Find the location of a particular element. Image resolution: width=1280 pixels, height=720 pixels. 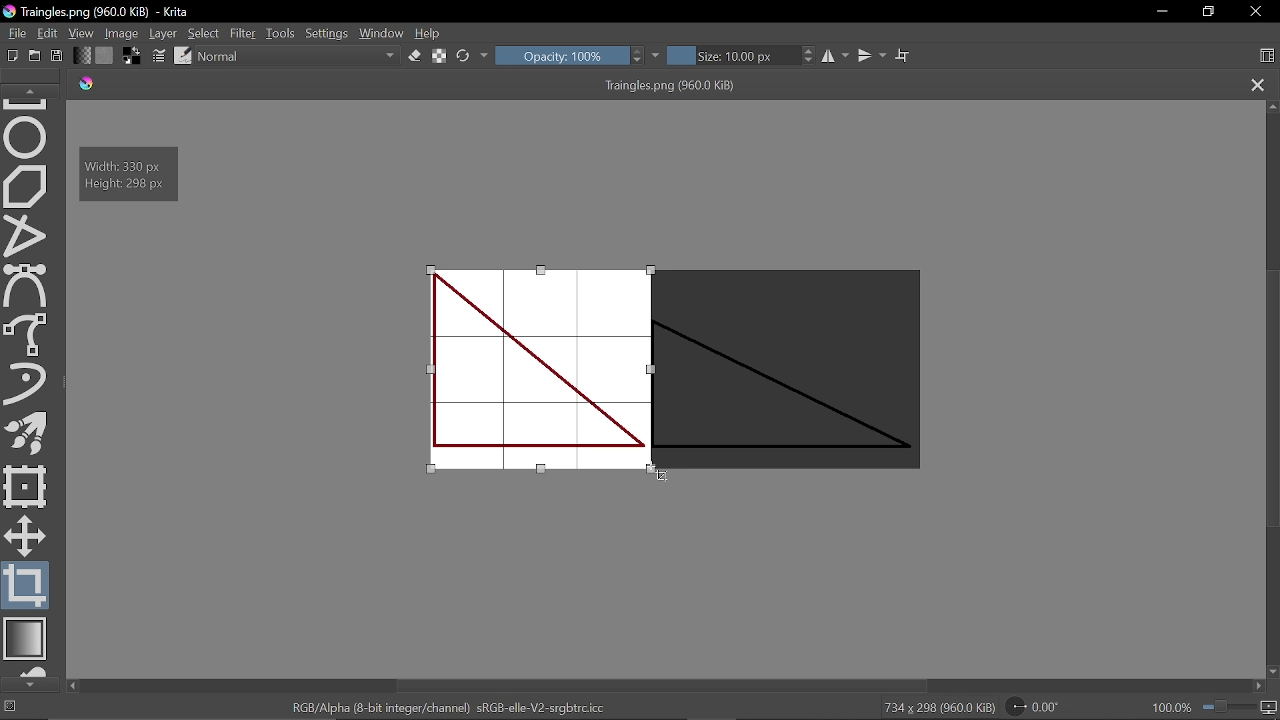

Bezier select tool is located at coordinates (25, 286).